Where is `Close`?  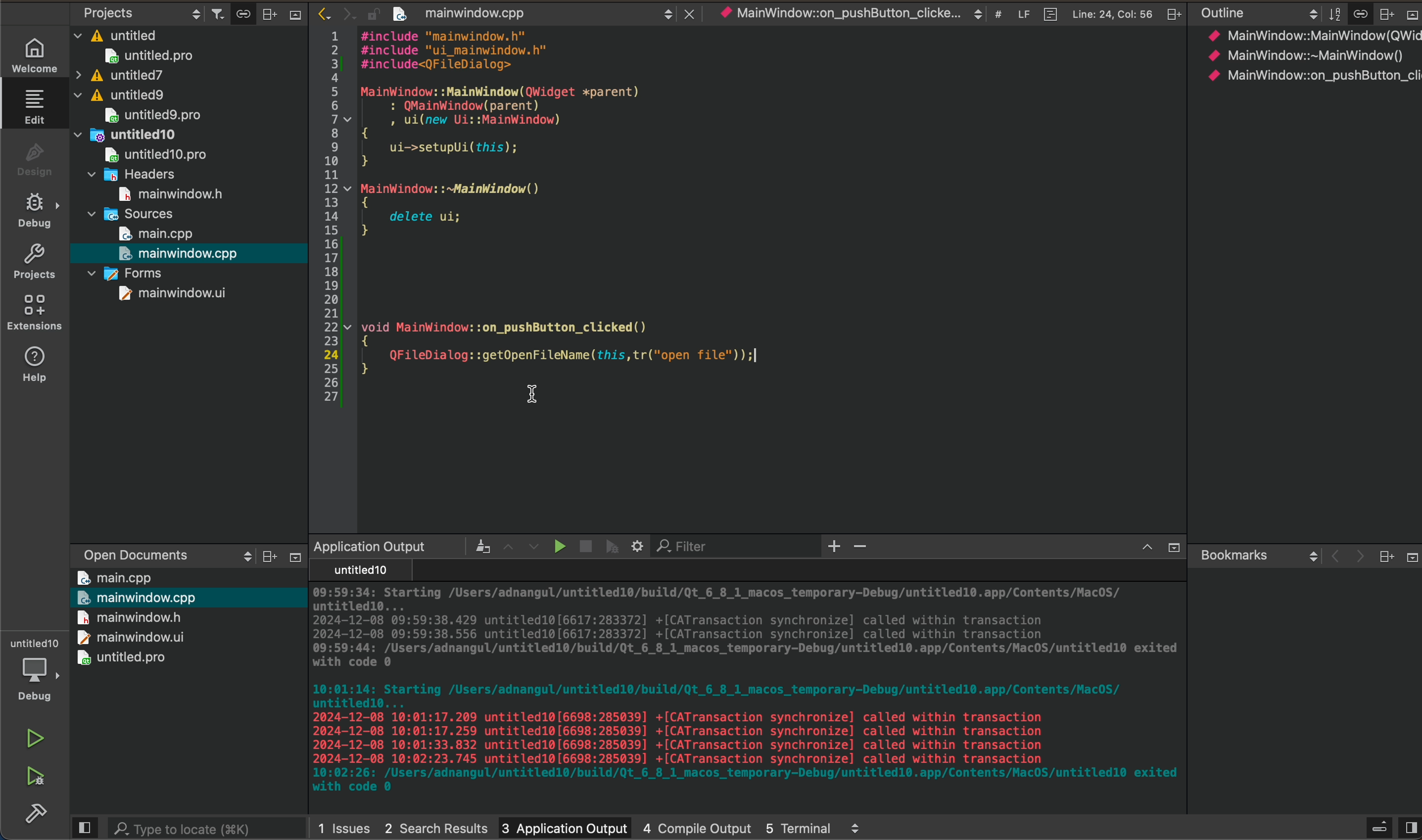 Close is located at coordinates (686, 11).